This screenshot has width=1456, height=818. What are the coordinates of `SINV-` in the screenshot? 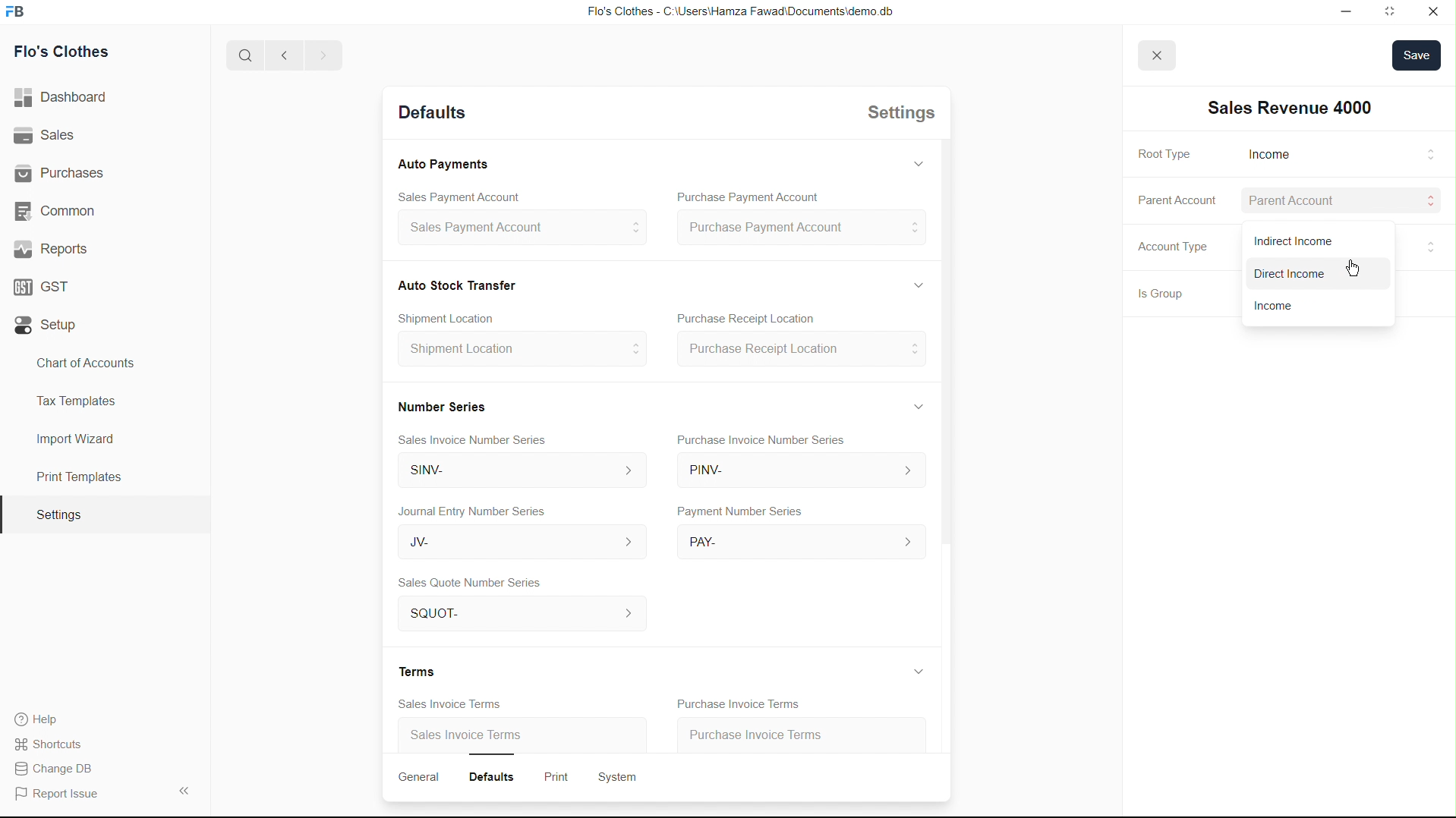 It's located at (515, 472).